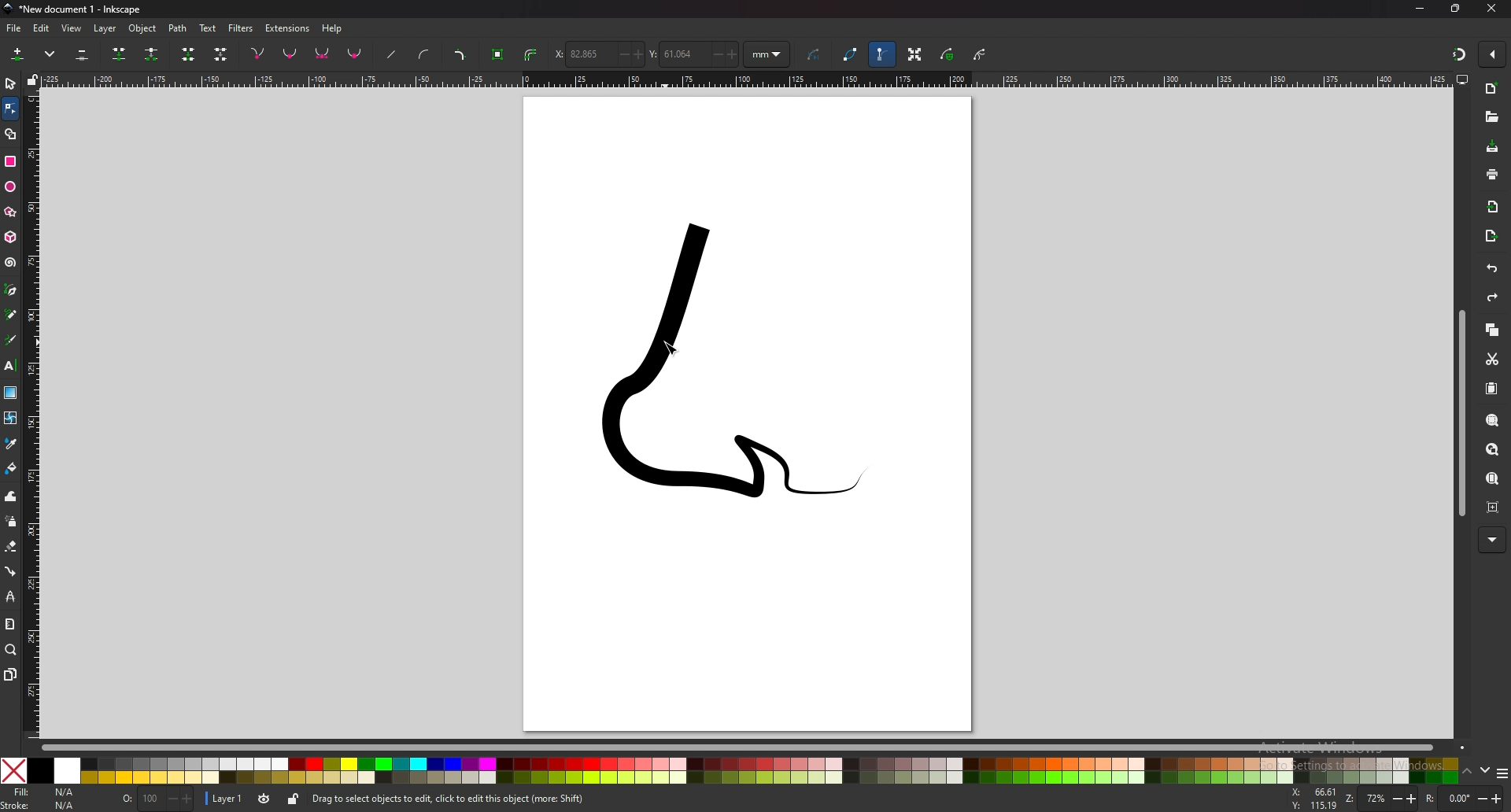 The image size is (1511, 812). What do you see at coordinates (225, 797) in the screenshot?
I see `layer` at bounding box center [225, 797].